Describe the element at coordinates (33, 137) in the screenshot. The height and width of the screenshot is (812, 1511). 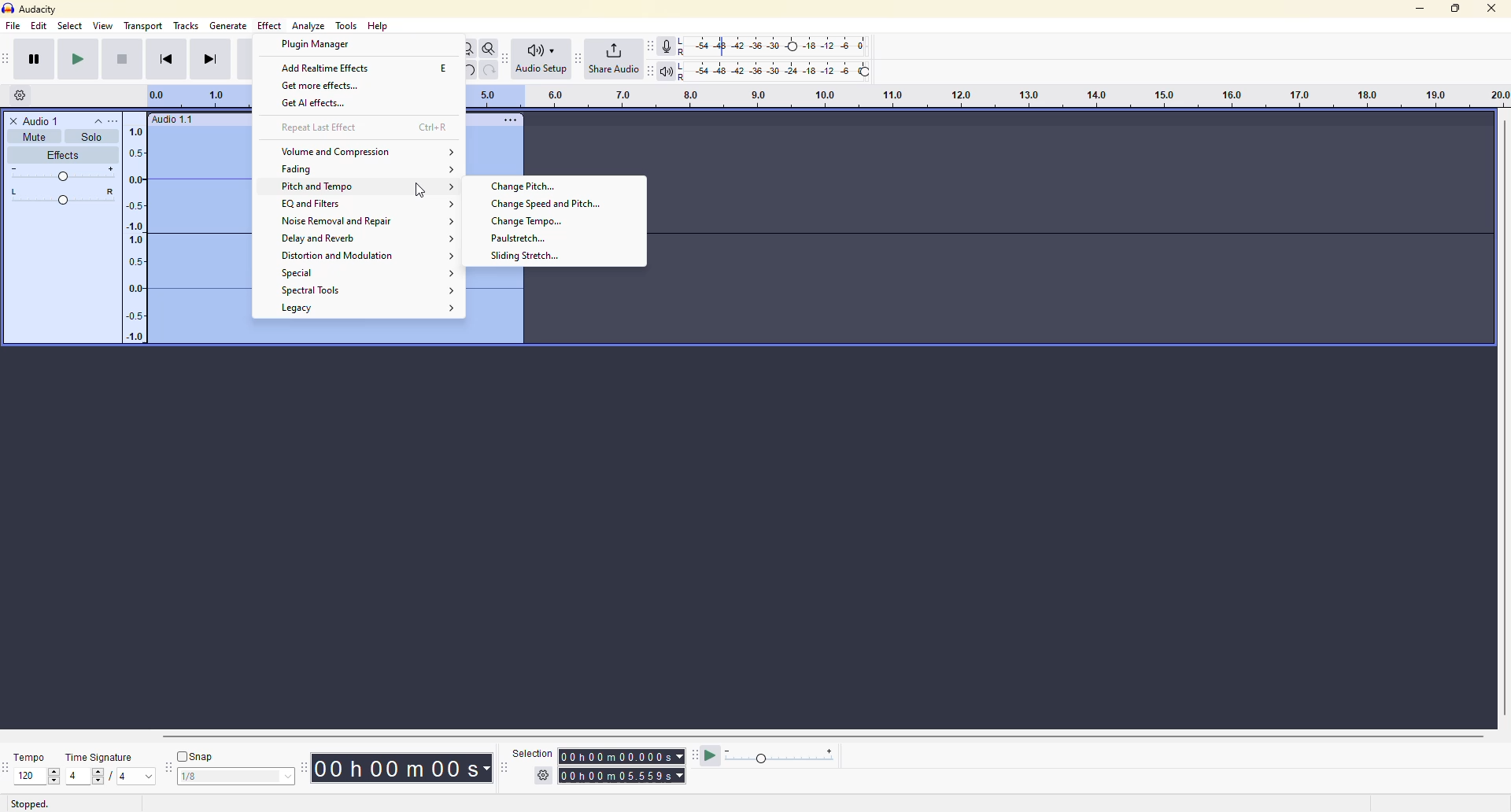
I see `mute` at that location.